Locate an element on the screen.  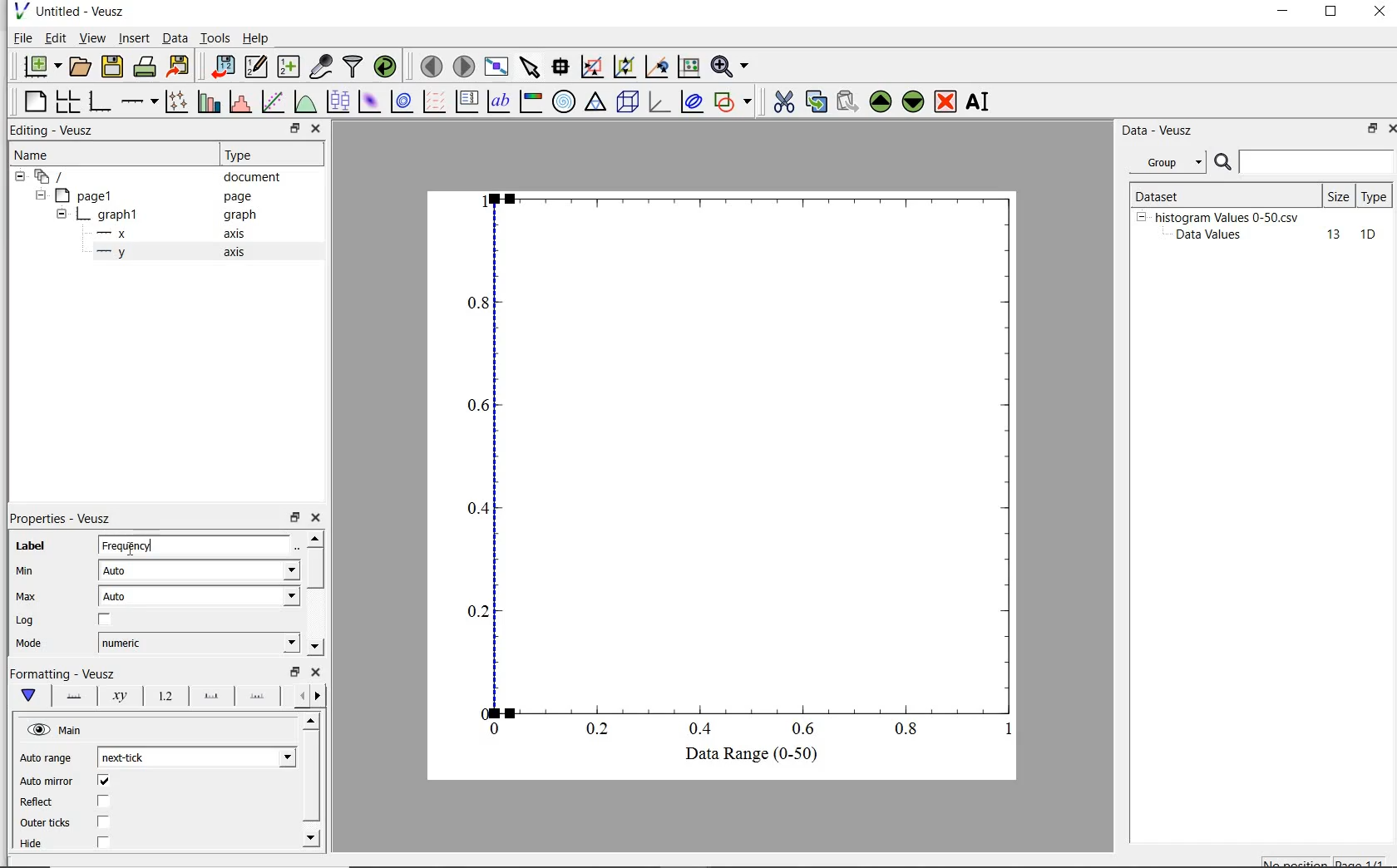
checkbox is located at coordinates (104, 822).